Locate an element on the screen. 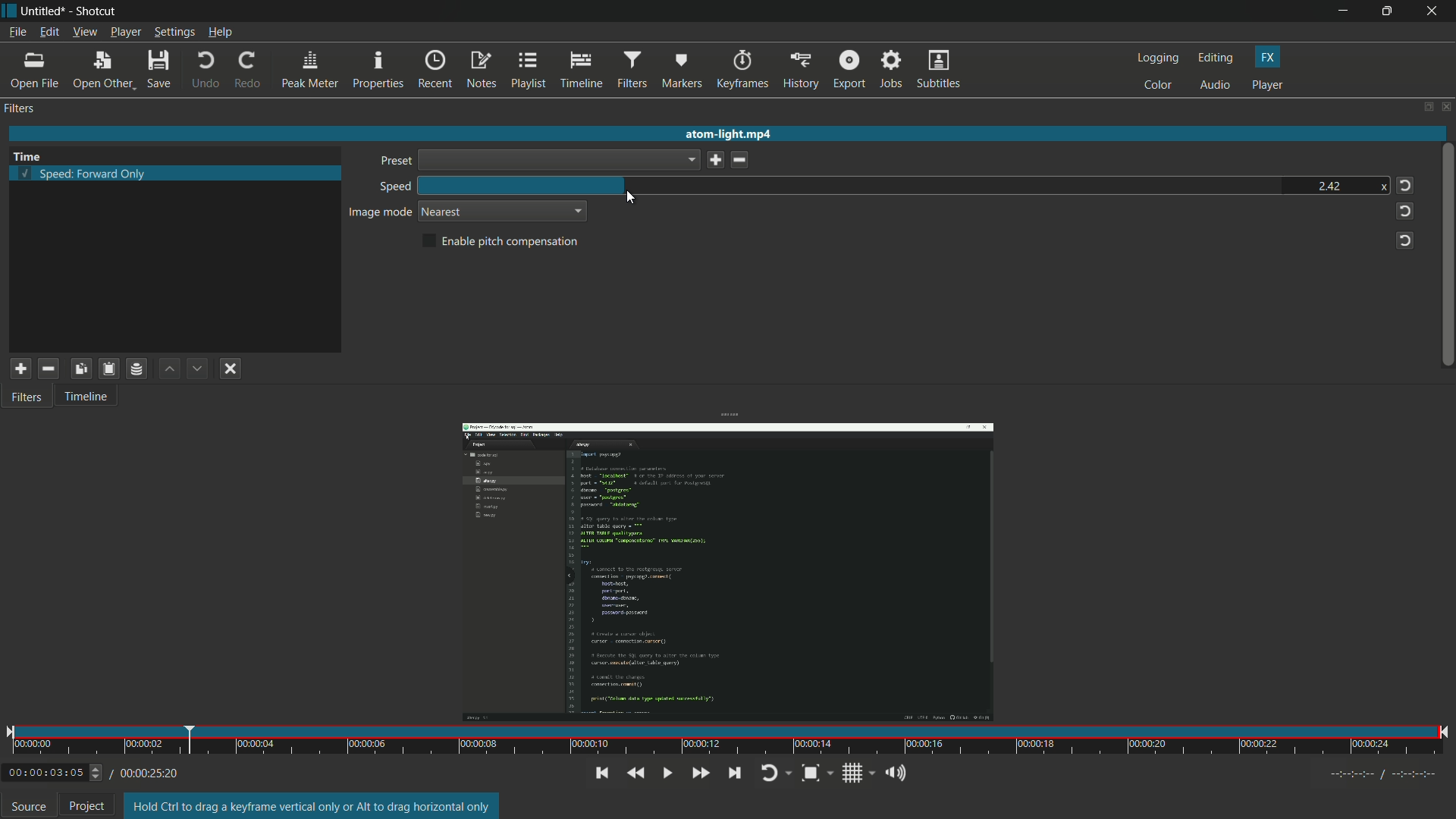  audio is located at coordinates (1216, 86).